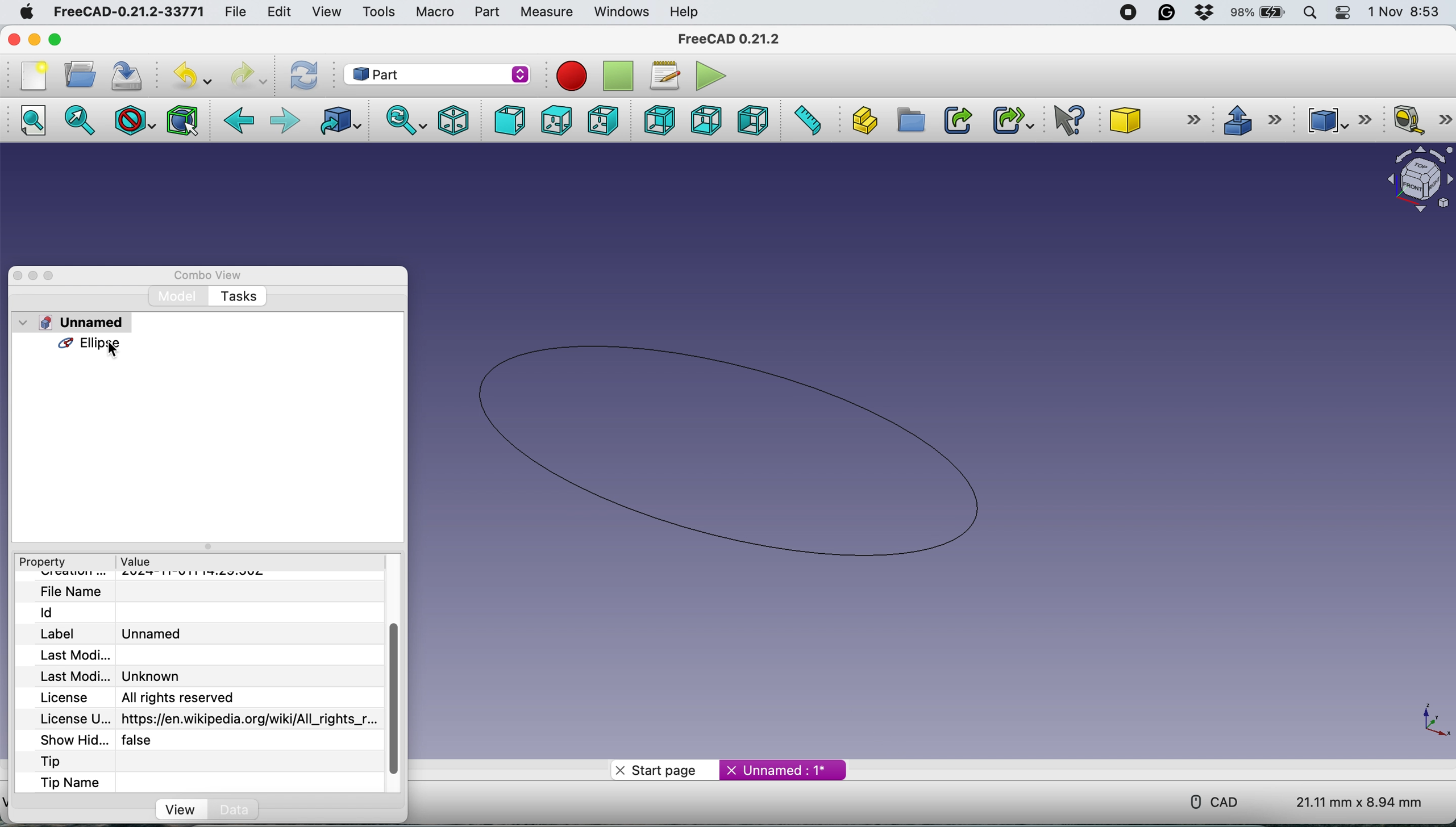 This screenshot has width=1456, height=827. I want to click on redo, so click(251, 74).